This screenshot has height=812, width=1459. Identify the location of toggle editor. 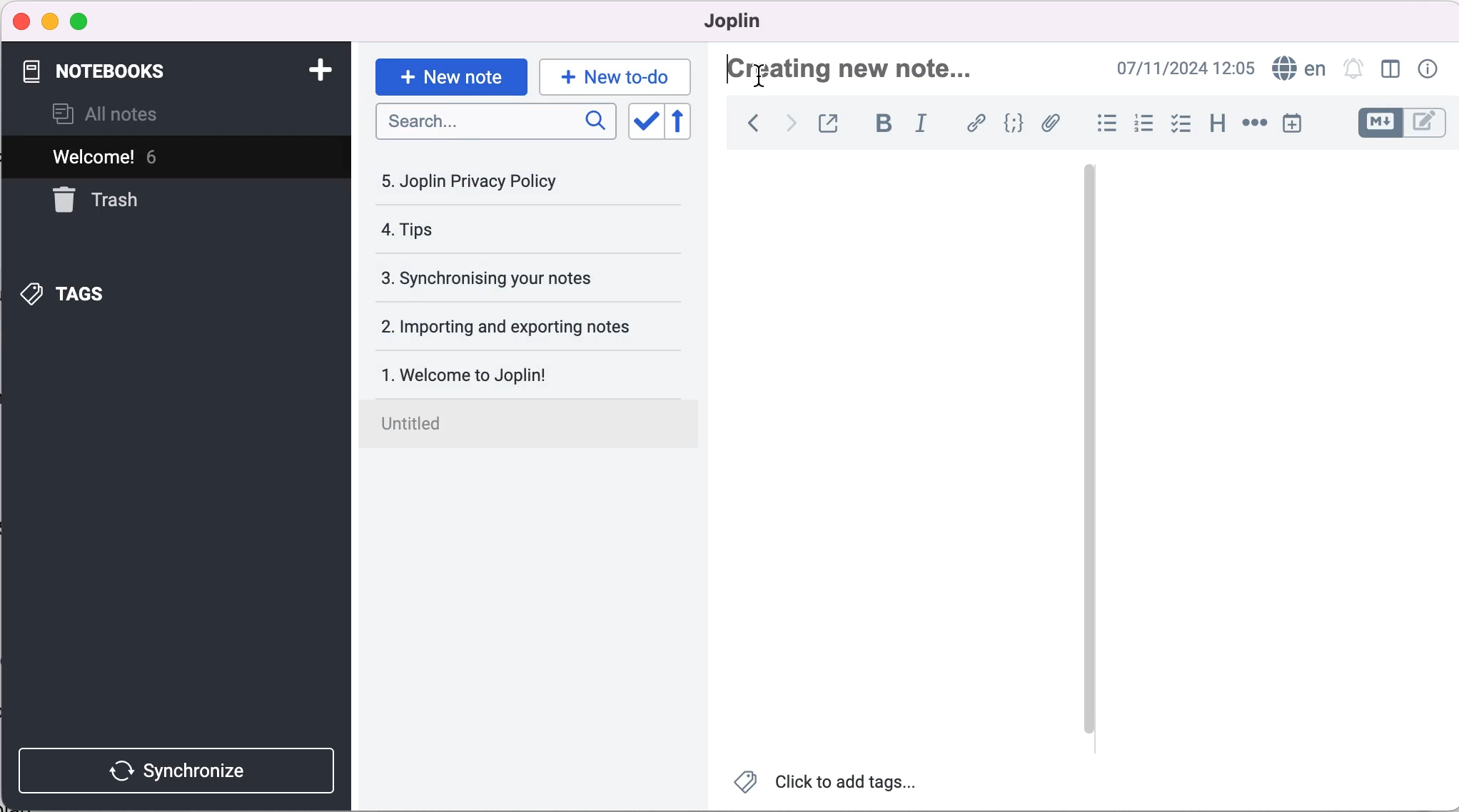
(1403, 122).